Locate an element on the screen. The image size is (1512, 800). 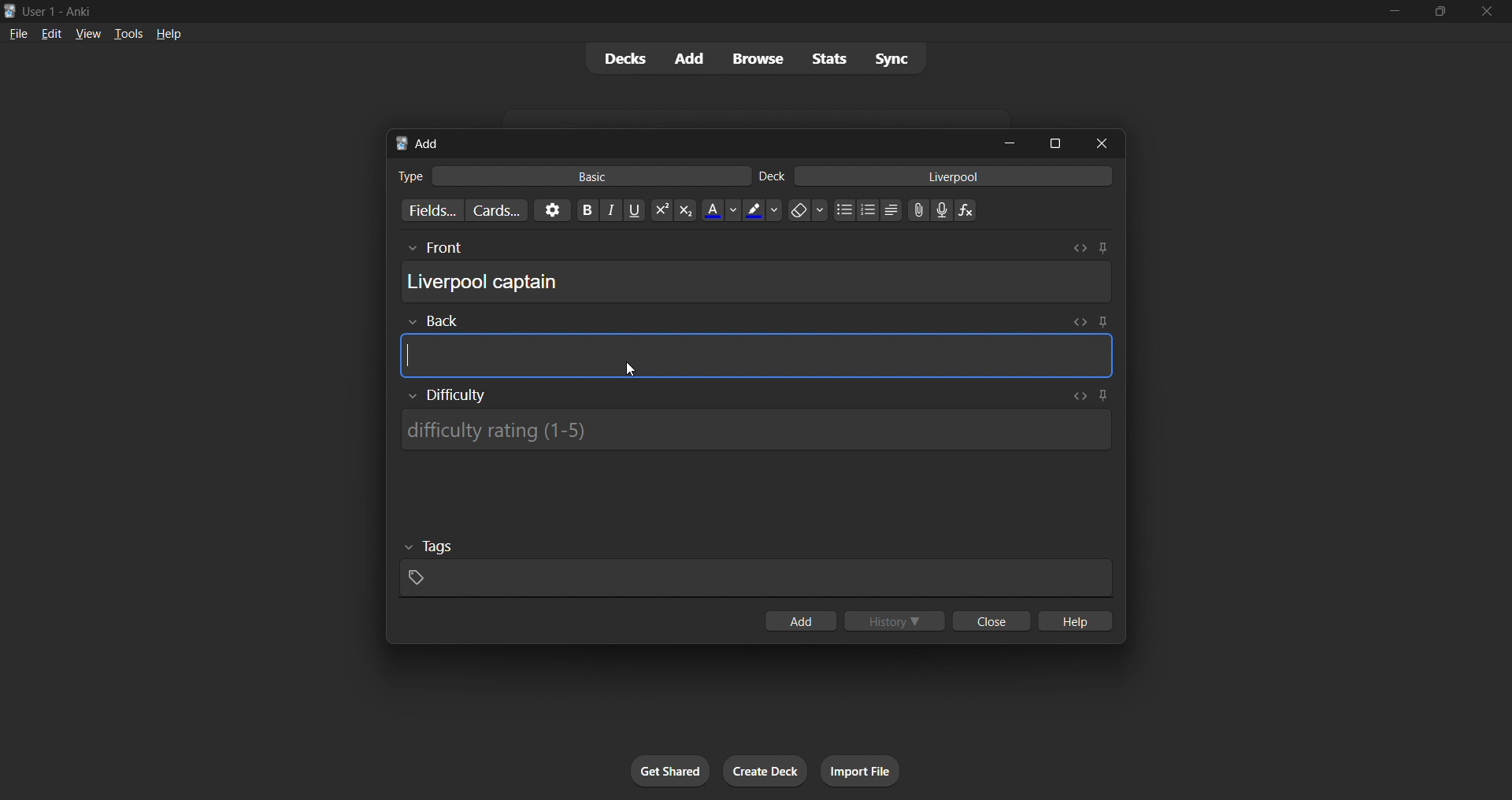
Text is located at coordinates (409, 176).